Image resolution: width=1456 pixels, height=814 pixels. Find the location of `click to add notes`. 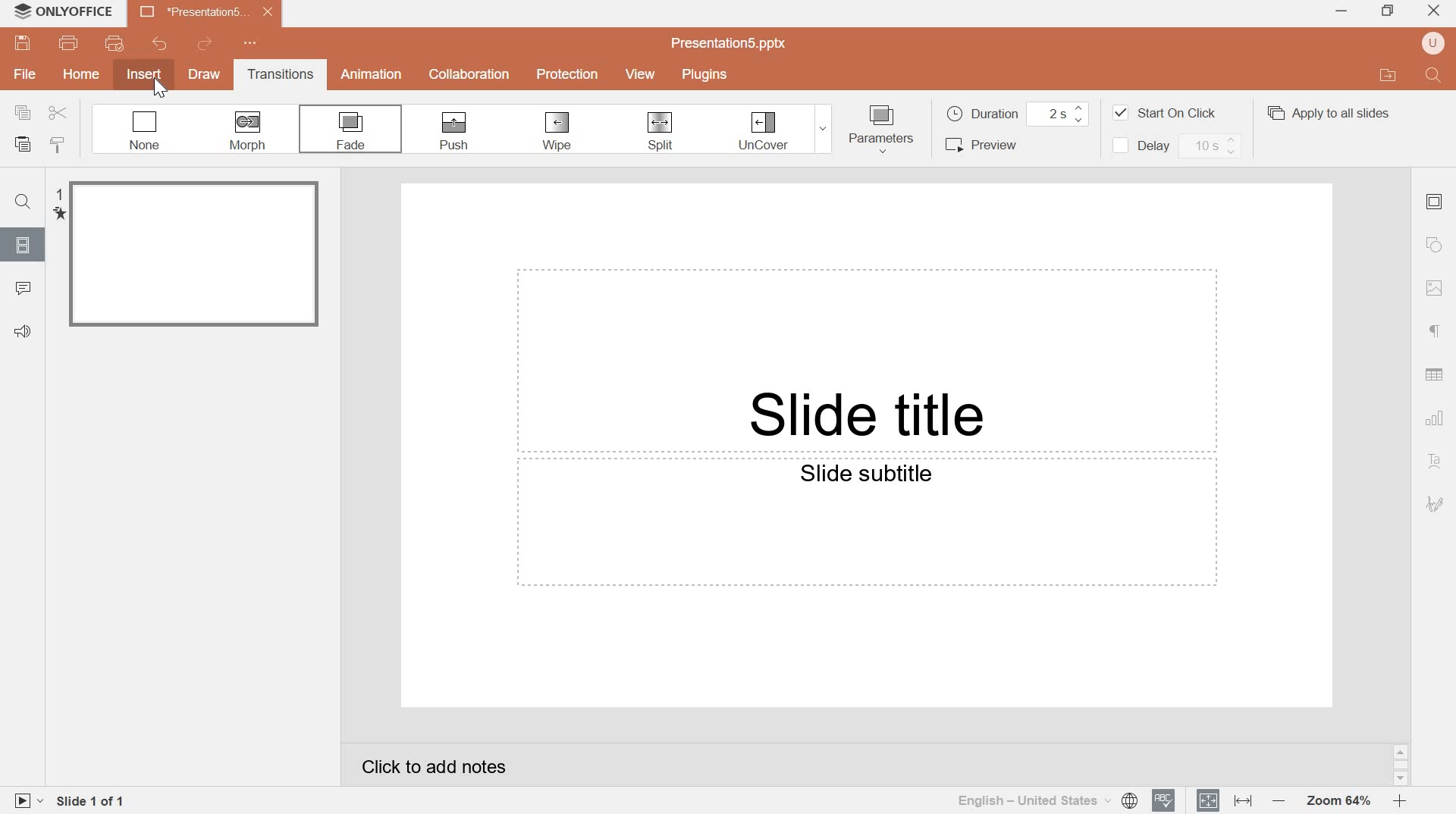

click to add notes is located at coordinates (435, 767).